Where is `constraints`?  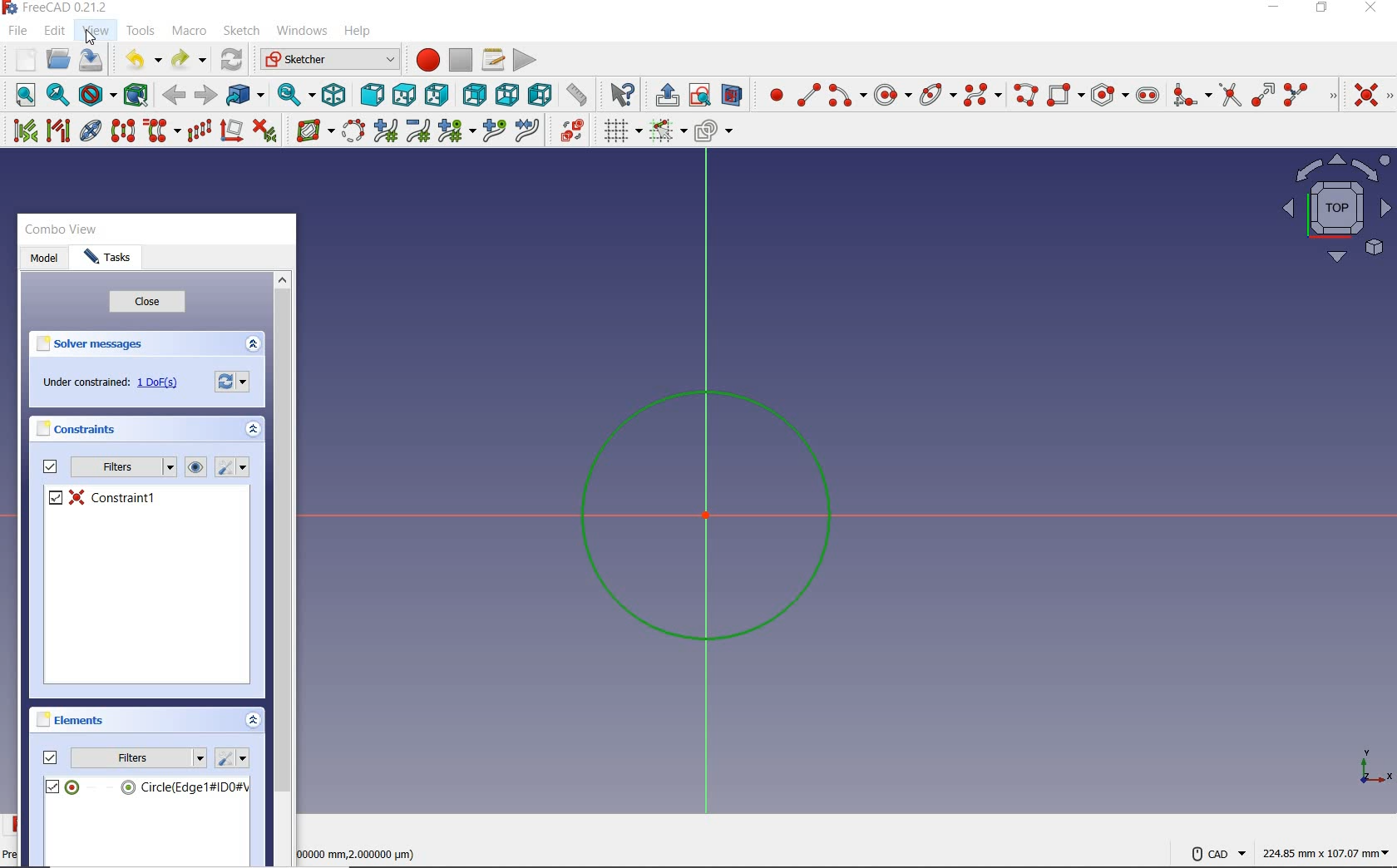 constraints is located at coordinates (85, 430).